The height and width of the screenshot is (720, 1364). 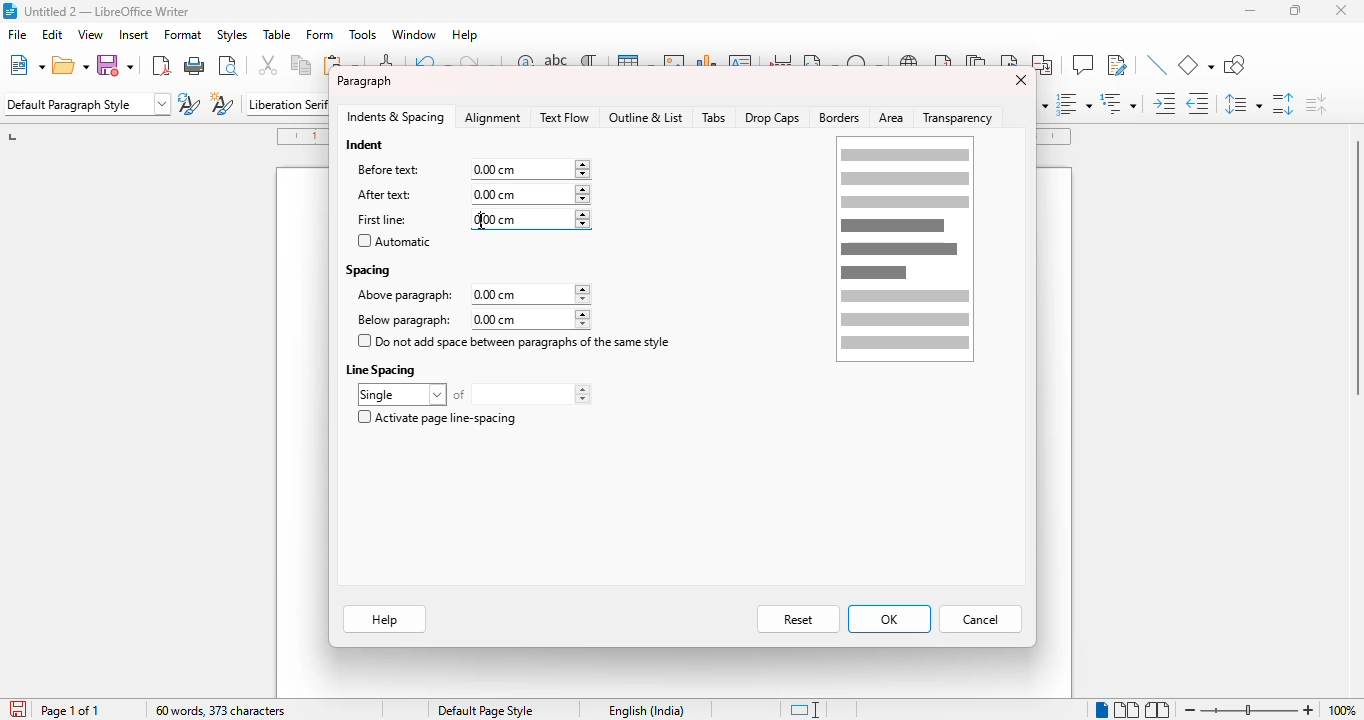 I want to click on toggle print preview, so click(x=228, y=65).